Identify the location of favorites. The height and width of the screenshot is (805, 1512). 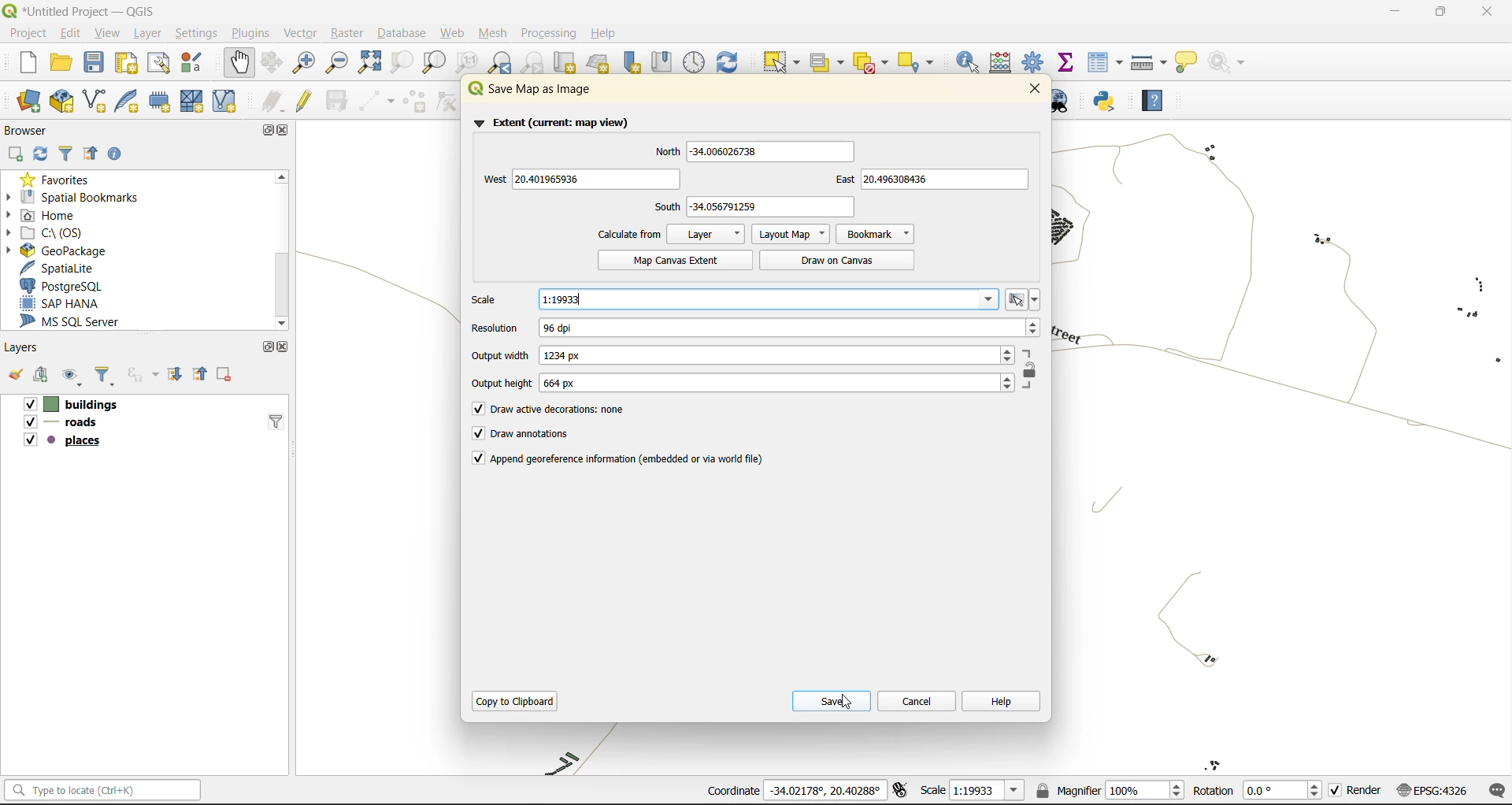
(62, 179).